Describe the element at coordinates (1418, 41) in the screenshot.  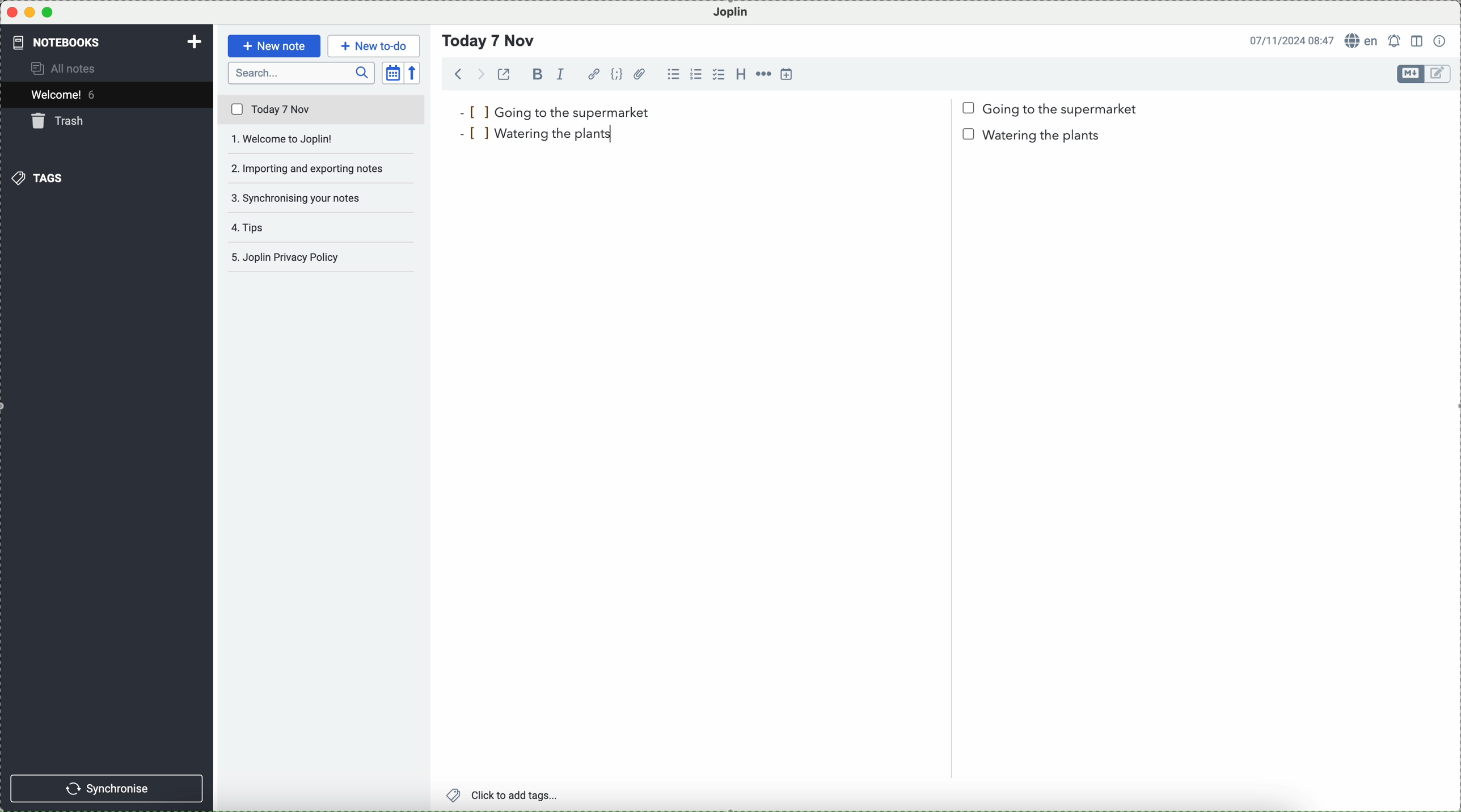
I see `toggle editor layout` at that location.